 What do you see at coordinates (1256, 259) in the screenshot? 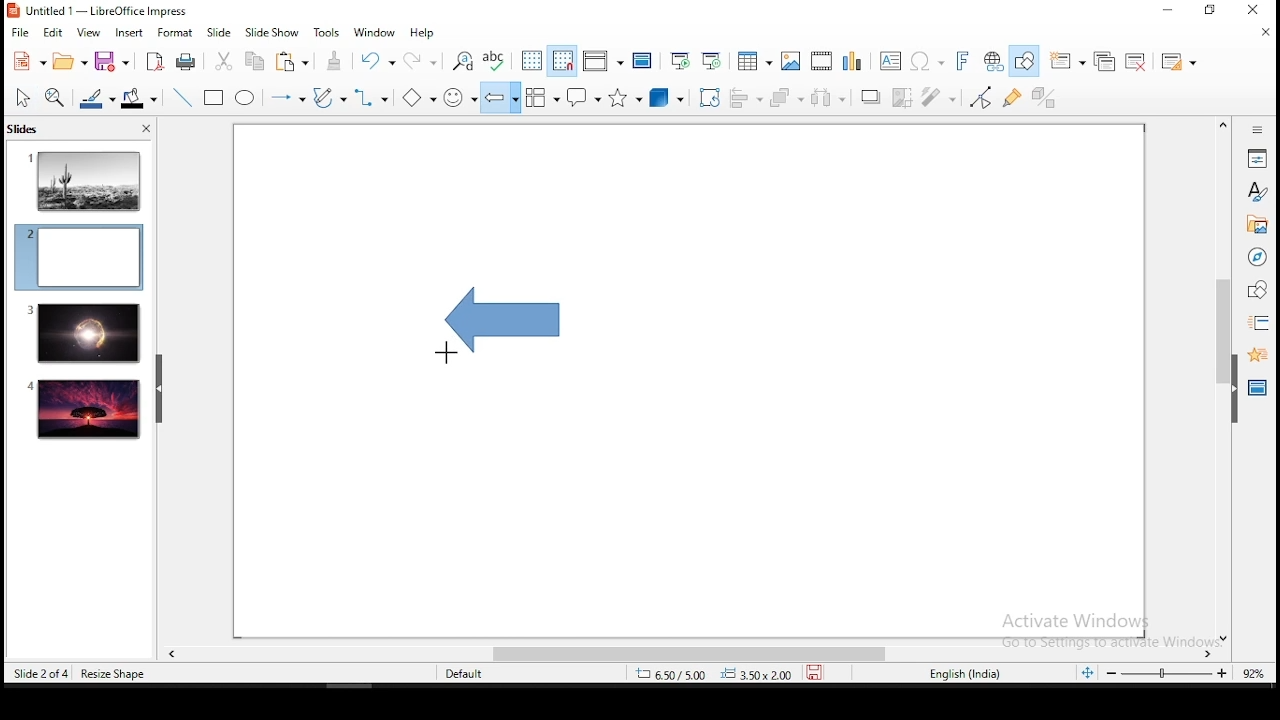
I see `navigator` at bounding box center [1256, 259].